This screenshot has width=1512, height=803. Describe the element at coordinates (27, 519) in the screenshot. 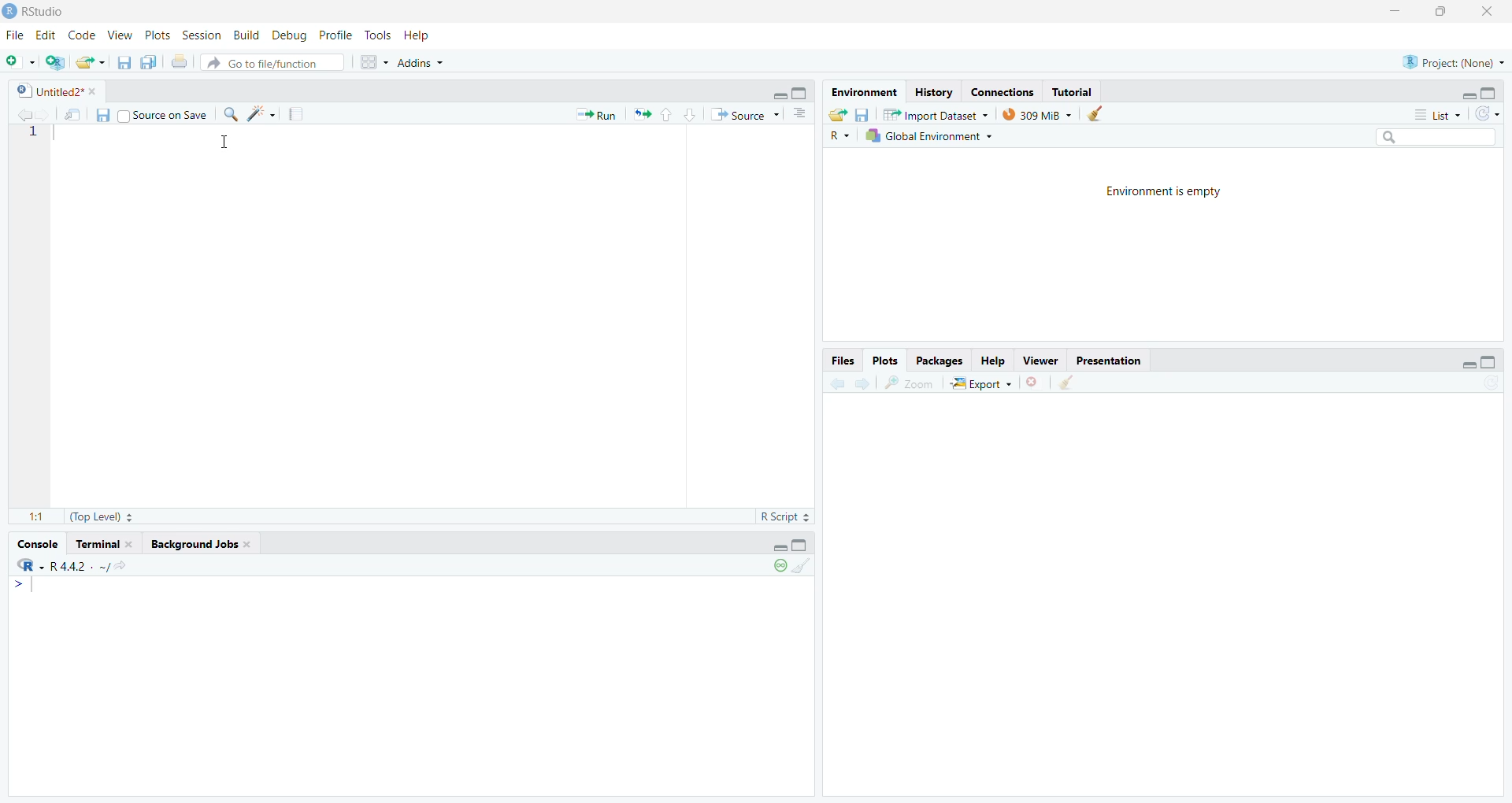

I see `1:!` at that location.